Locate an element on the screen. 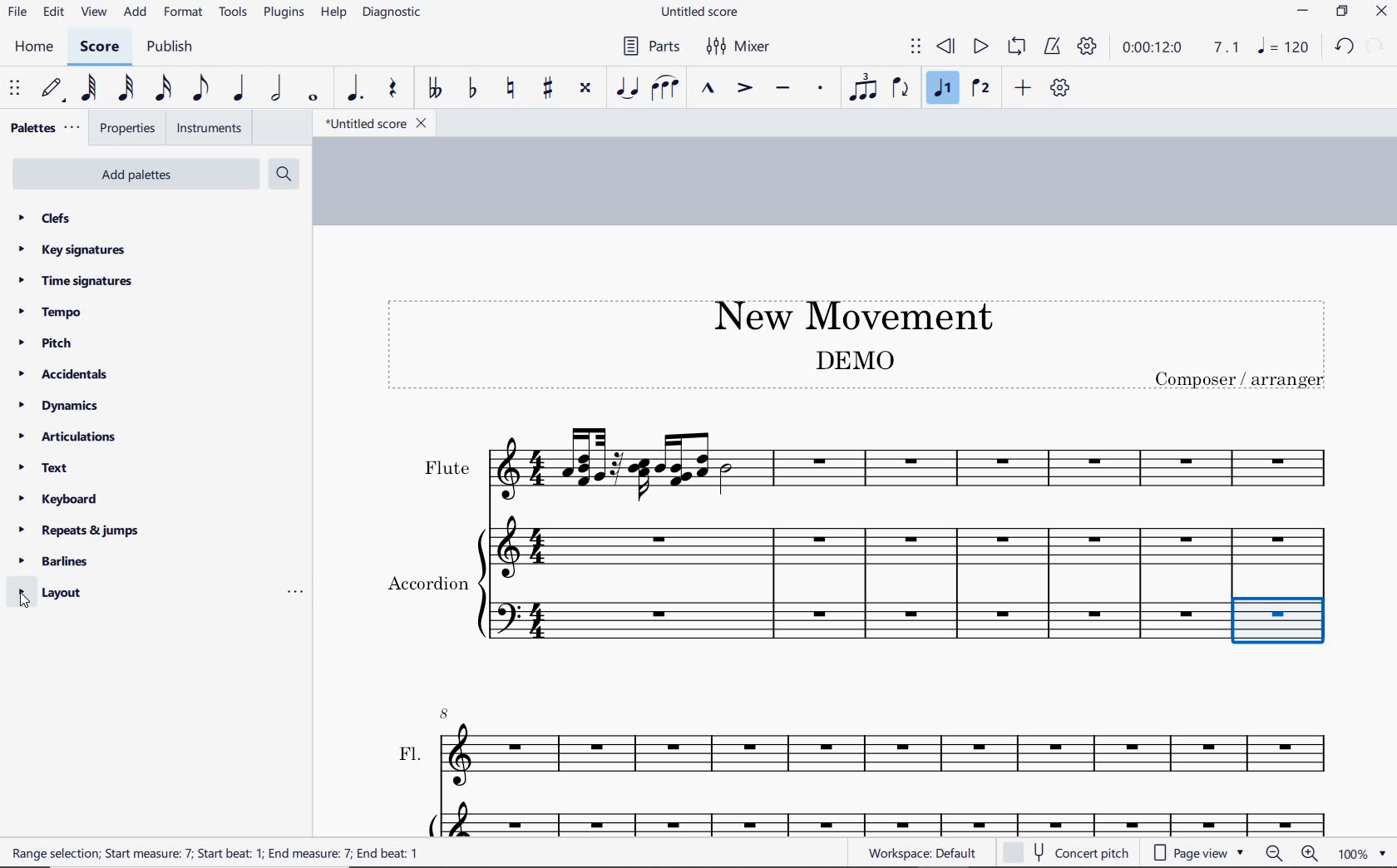 Image resolution: width=1397 pixels, height=868 pixels. view is located at coordinates (91, 13).